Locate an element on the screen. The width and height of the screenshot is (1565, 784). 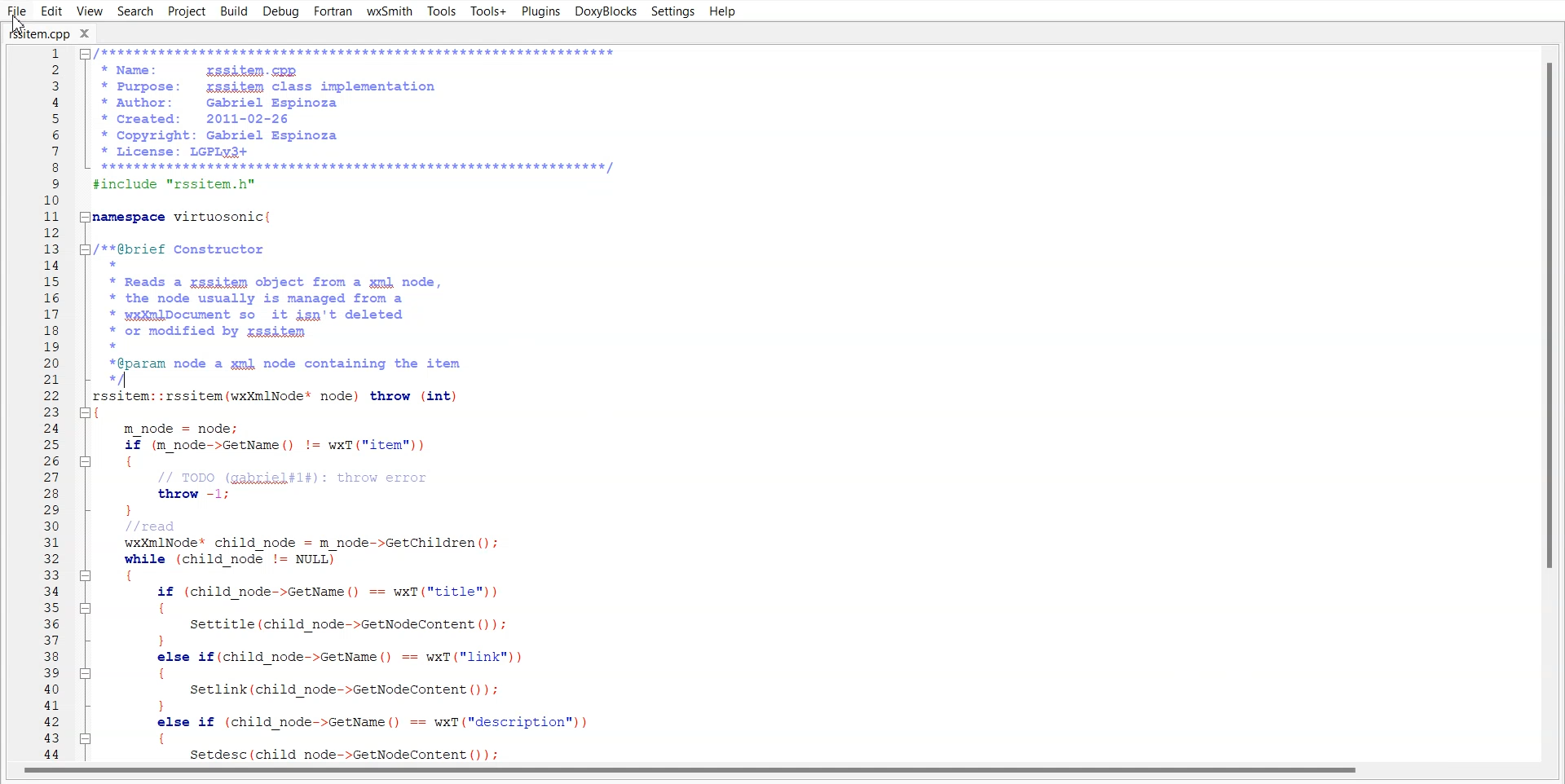
* Purpose:  rgsifem class implementation
* Author: Gabriel Espinoza
* Created: 2011-02-26
* Copyright: Gabriel Espinoza
* License: LGPLy3+
BE Tr
finclude "rssitem.h"
\amespace virtuosonic(
/**@brief Constructor
*
* Reads a zssifem object from a ml node,
* the node usually is managed from a
* wx¥mlDocument so it ign't deleted
* or modified by zssitem
*
*@param node a gmk node containing the item
“/
rssitem: :rssitem(wxXmlNode* node) throw (int)
(
m_node = node;
if (m_node->GetName() != wxT("item"))
{
// TODO (gakriel#l#): throw error
throw -1;
} is located at coordinates (355, 403).